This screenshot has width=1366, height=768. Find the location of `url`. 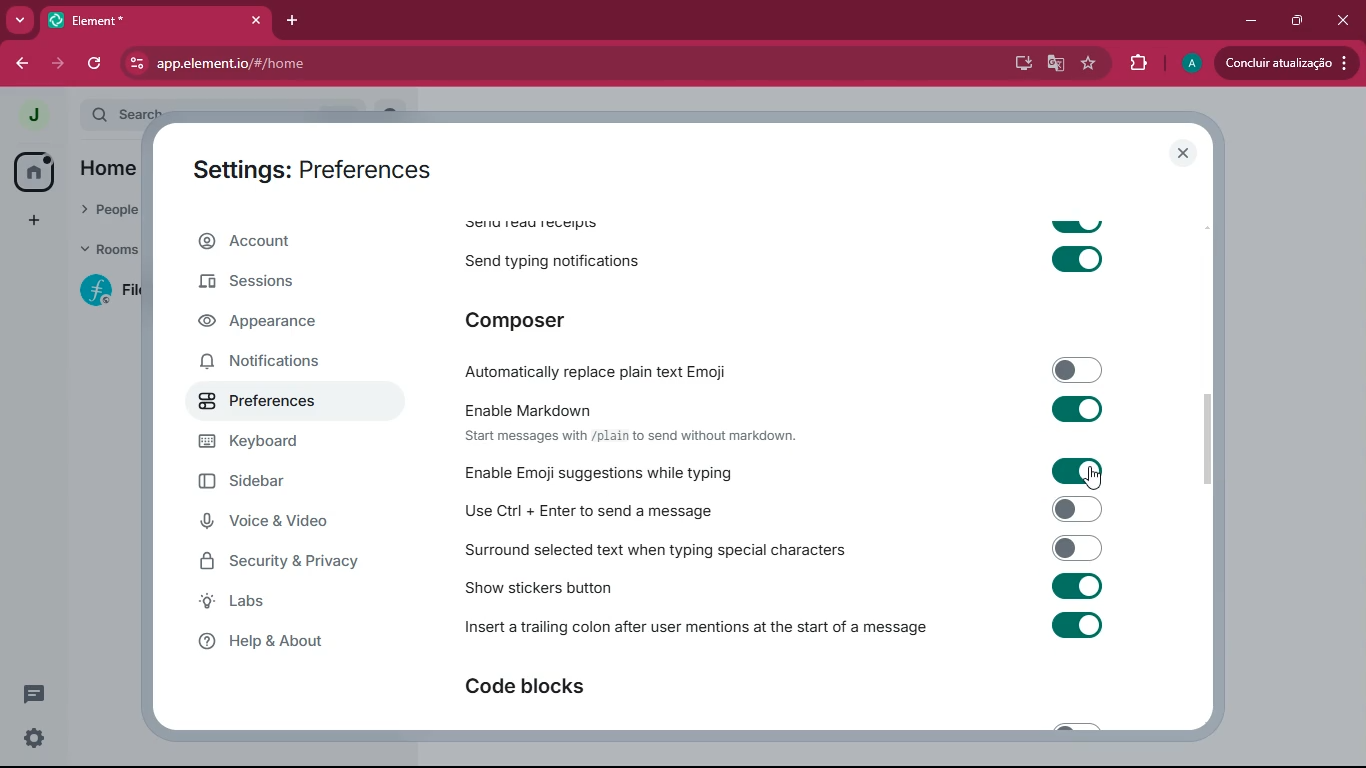

url is located at coordinates (300, 64).